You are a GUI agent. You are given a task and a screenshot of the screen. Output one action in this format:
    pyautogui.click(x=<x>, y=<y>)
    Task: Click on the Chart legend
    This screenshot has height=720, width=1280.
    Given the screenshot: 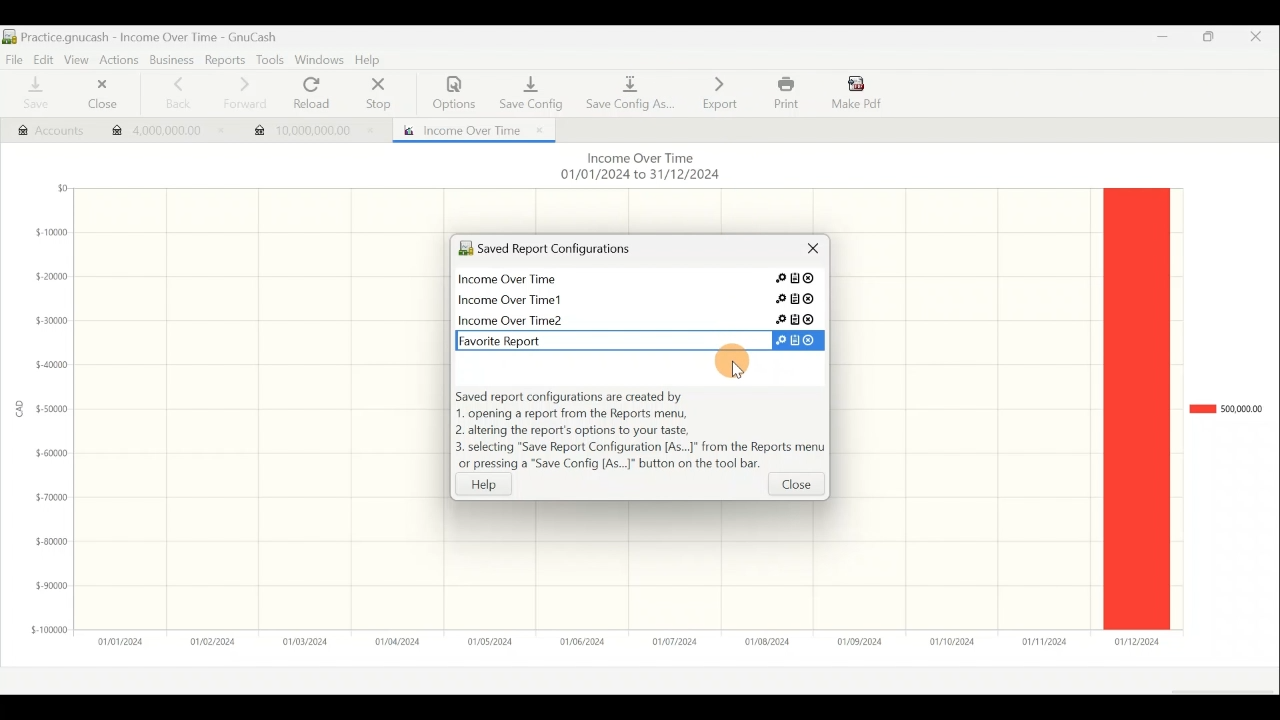 What is the action you would take?
    pyautogui.click(x=1225, y=409)
    